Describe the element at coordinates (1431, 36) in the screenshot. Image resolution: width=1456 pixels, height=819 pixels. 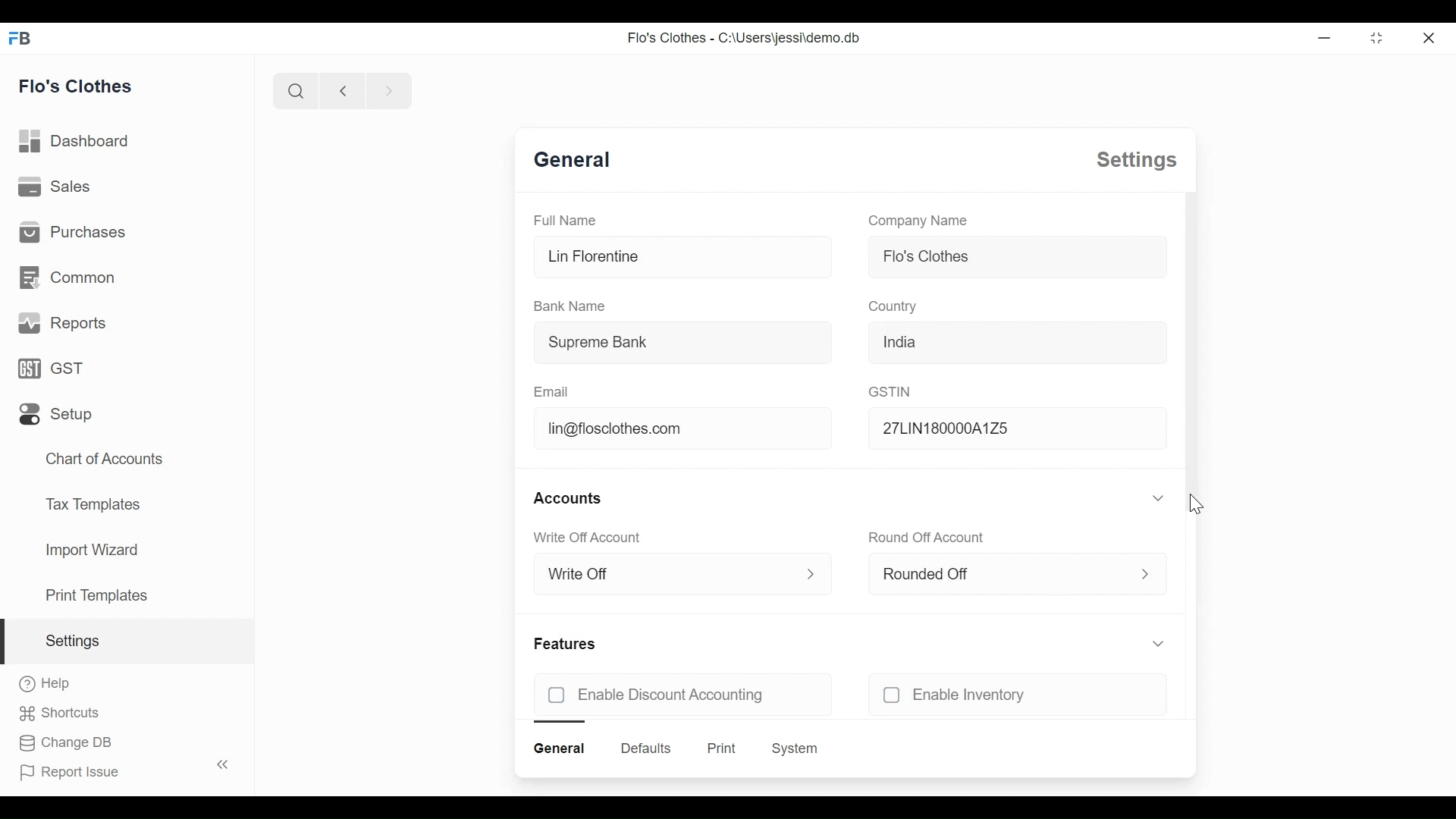
I see `Close` at that location.